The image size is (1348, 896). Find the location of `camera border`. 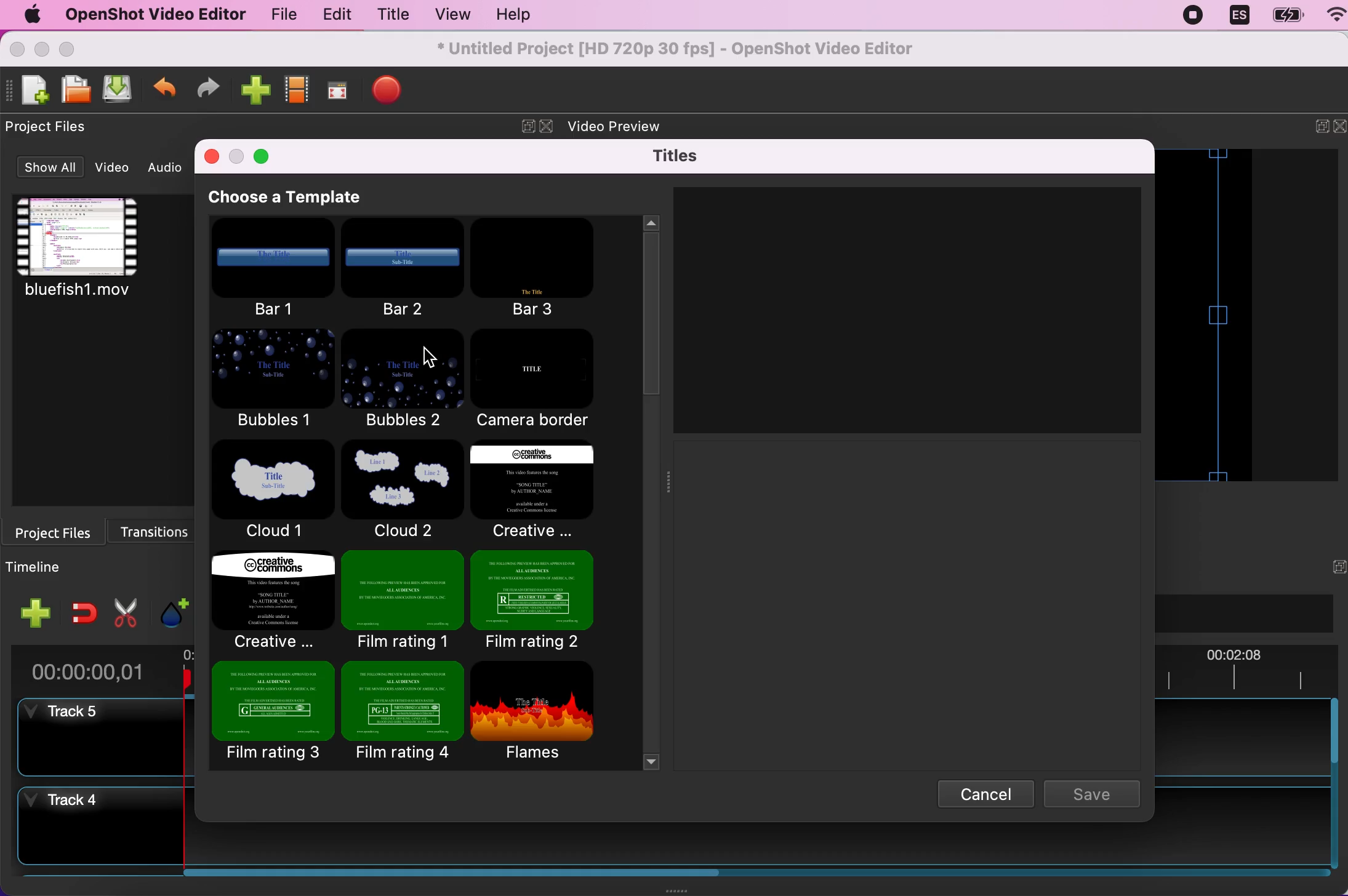

camera border is located at coordinates (542, 380).